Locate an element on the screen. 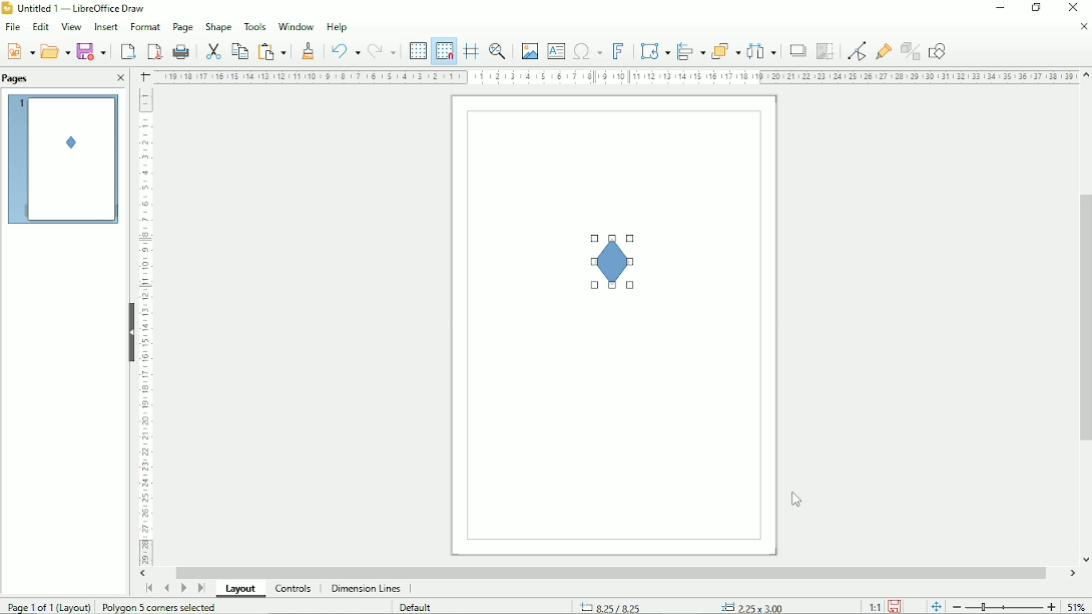  Horizontal scrollbar is located at coordinates (610, 572).